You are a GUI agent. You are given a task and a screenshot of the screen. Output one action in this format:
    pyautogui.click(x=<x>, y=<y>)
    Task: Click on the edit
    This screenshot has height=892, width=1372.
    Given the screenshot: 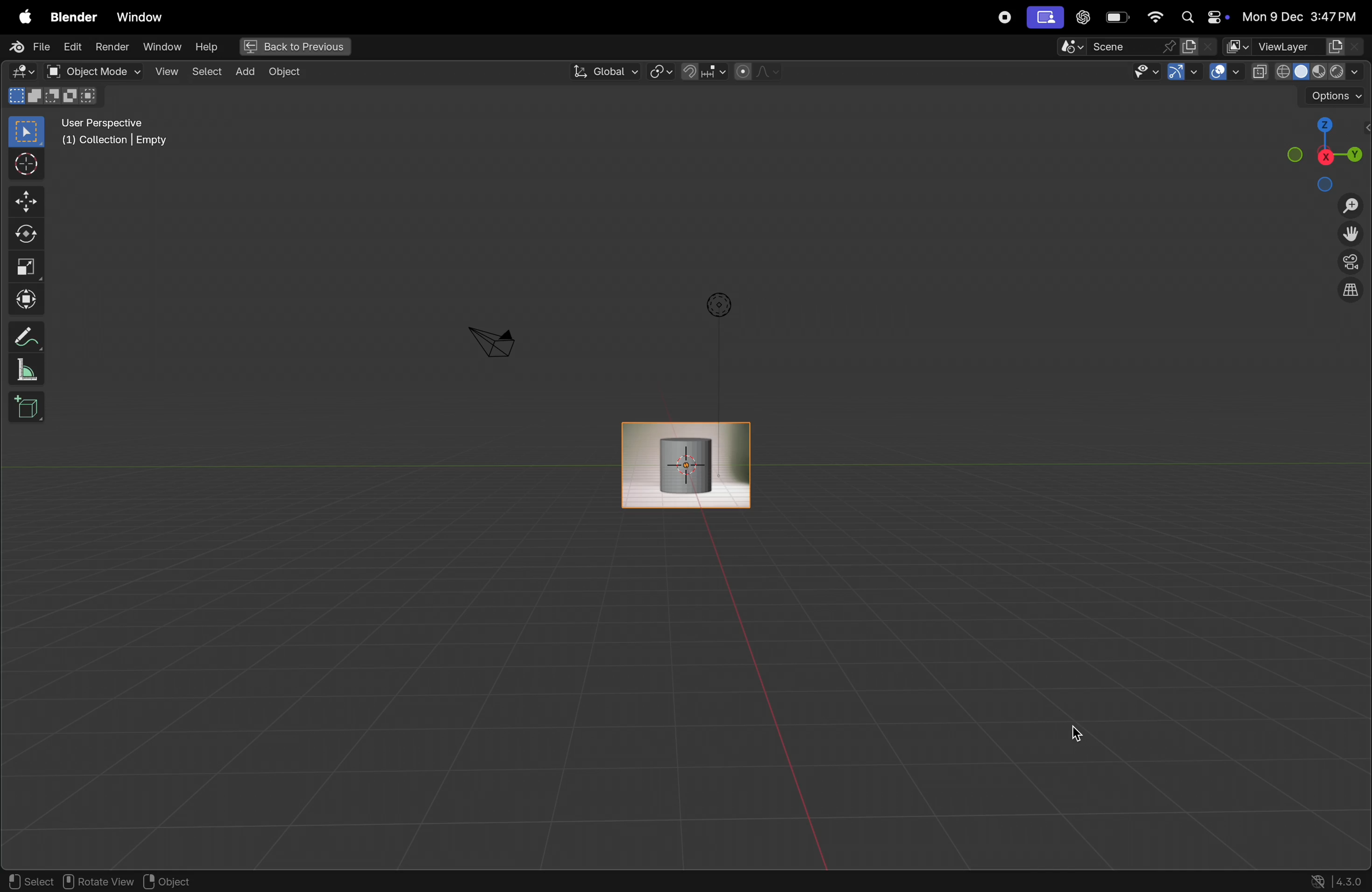 What is the action you would take?
    pyautogui.click(x=73, y=48)
    